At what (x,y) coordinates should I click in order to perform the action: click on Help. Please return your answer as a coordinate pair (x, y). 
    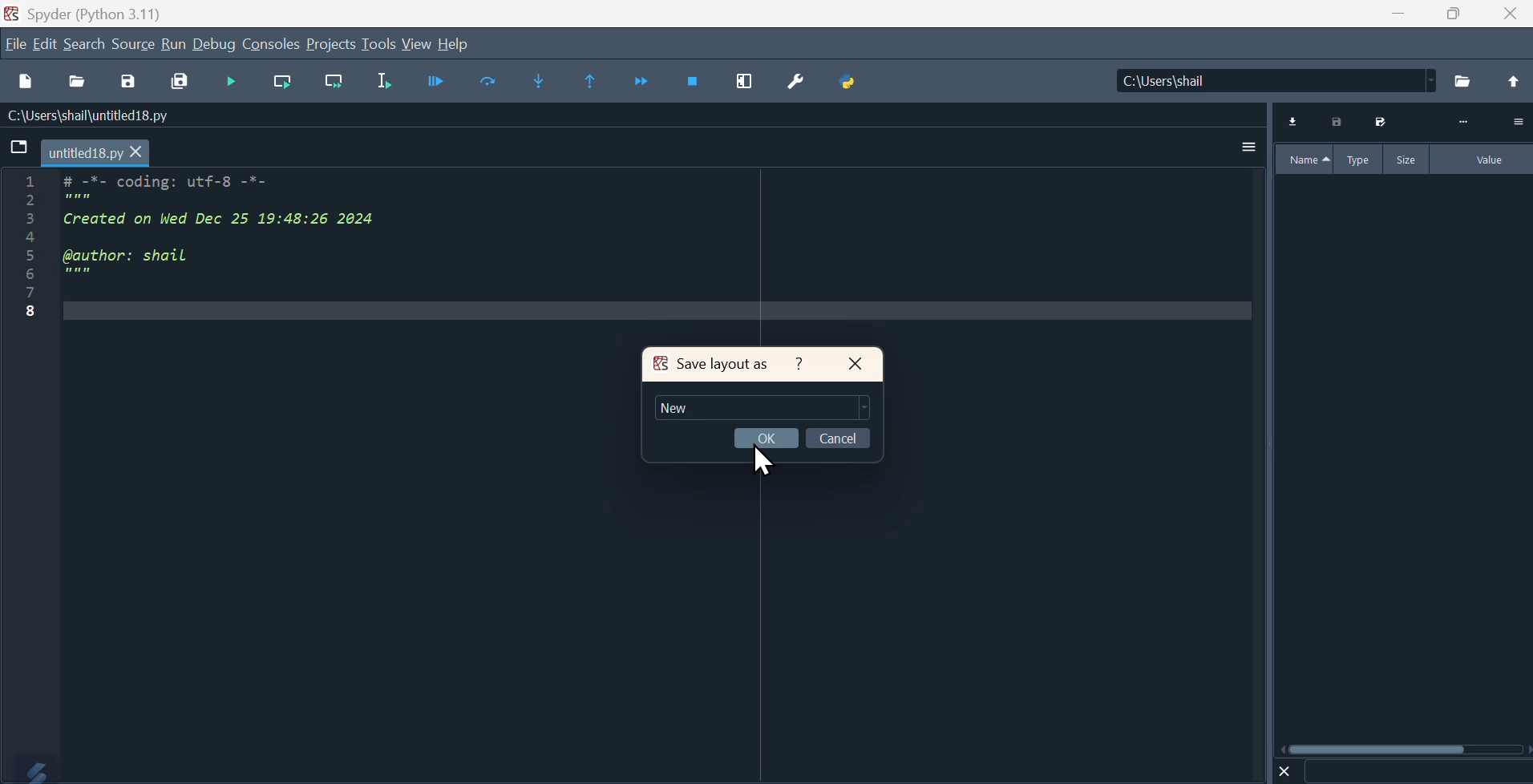
    Looking at the image, I should click on (455, 44).